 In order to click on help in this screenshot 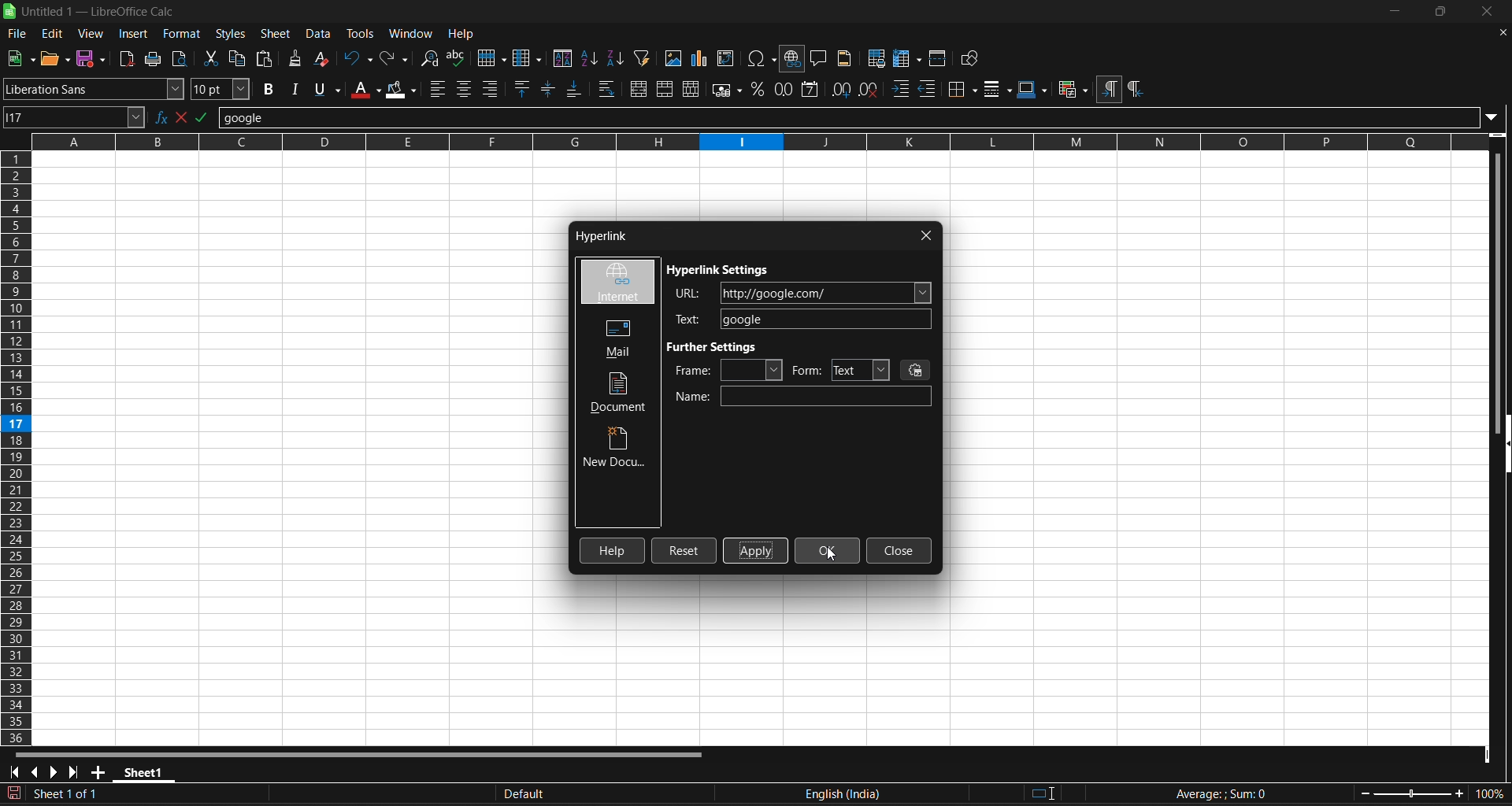, I will do `click(461, 32)`.